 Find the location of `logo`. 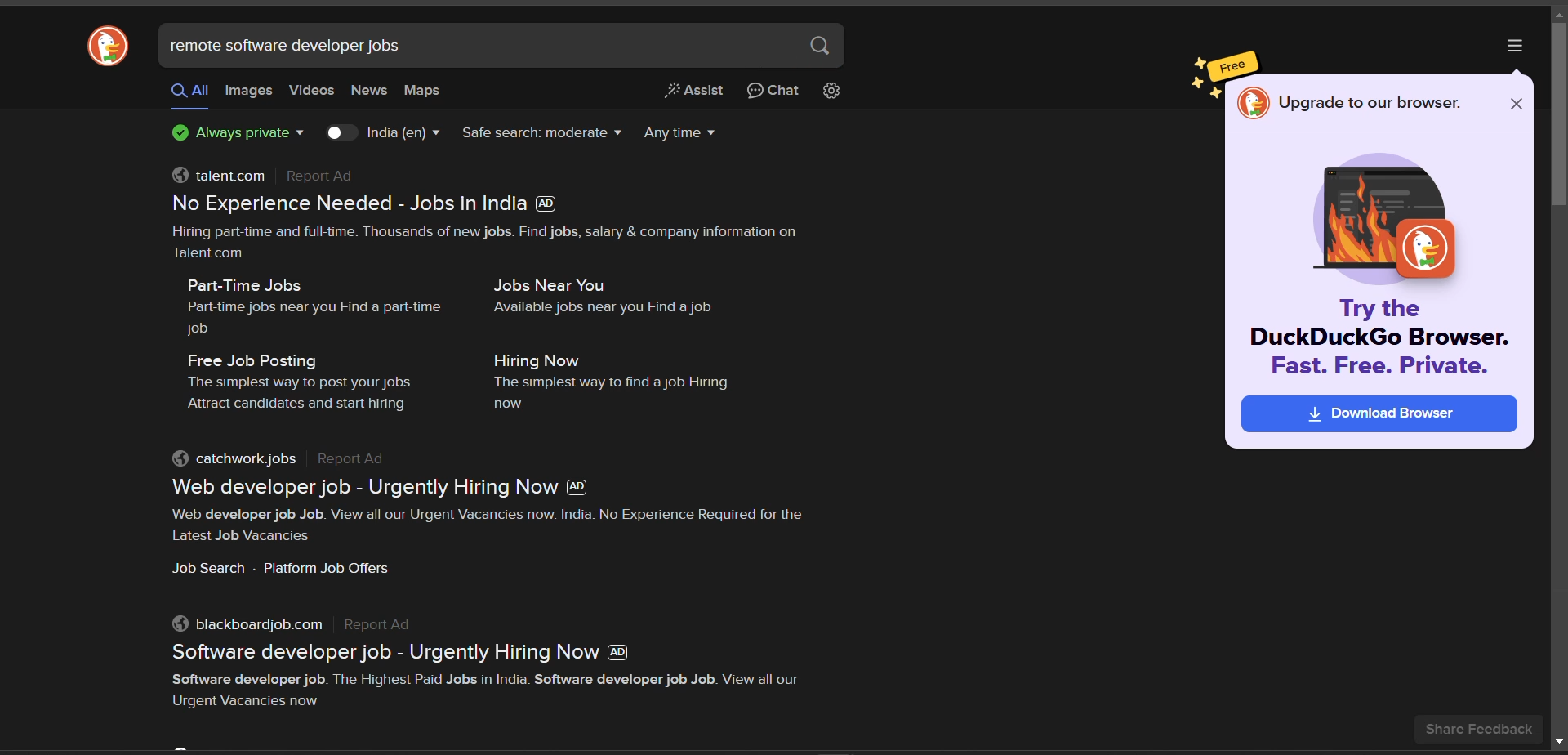

logo is located at coordinates (1250, 101).